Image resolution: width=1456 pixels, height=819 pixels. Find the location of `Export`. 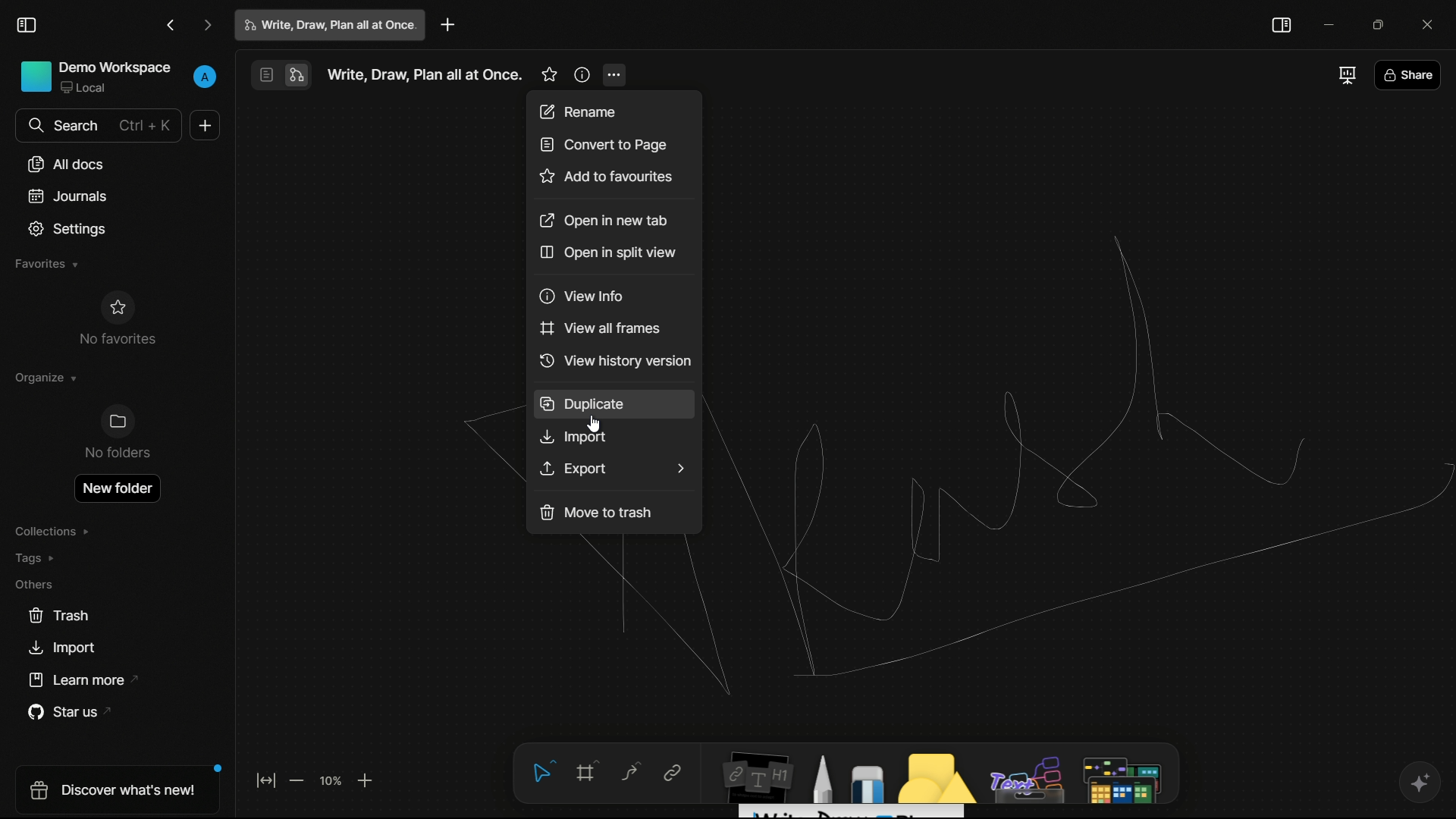

Export is located at coordinates (615, 467).